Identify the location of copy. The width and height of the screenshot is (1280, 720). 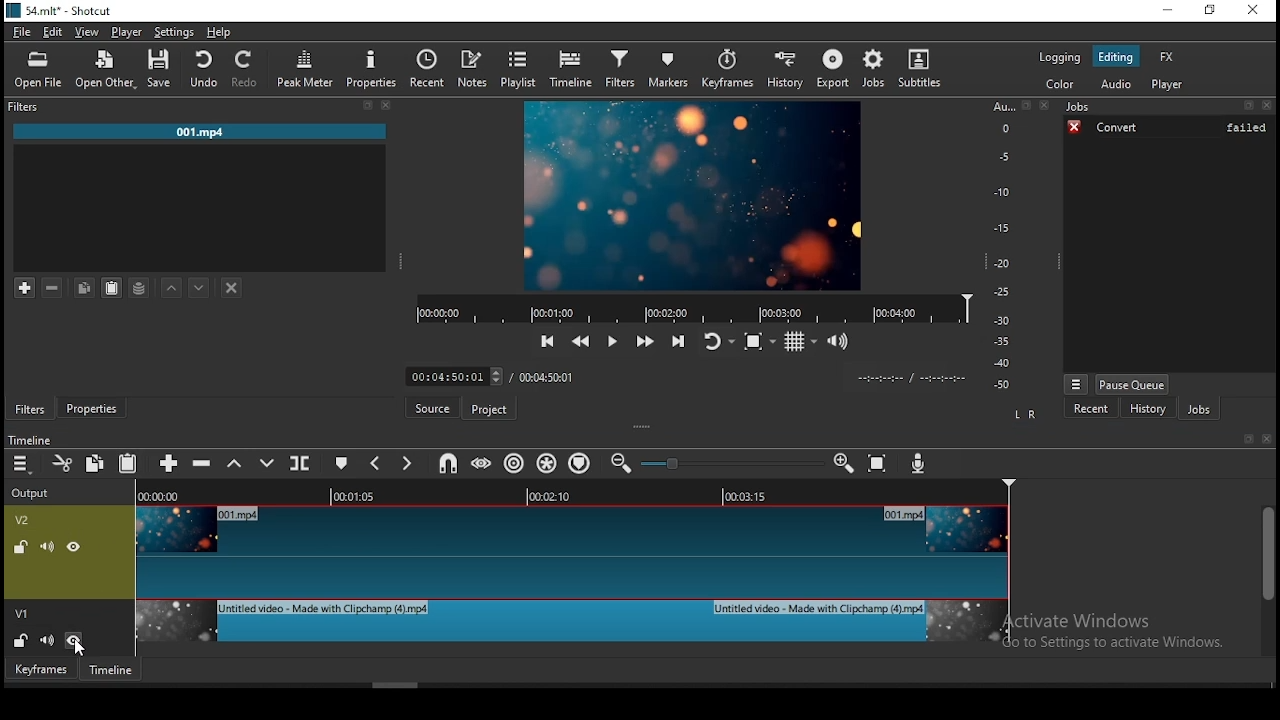
(85, 286).